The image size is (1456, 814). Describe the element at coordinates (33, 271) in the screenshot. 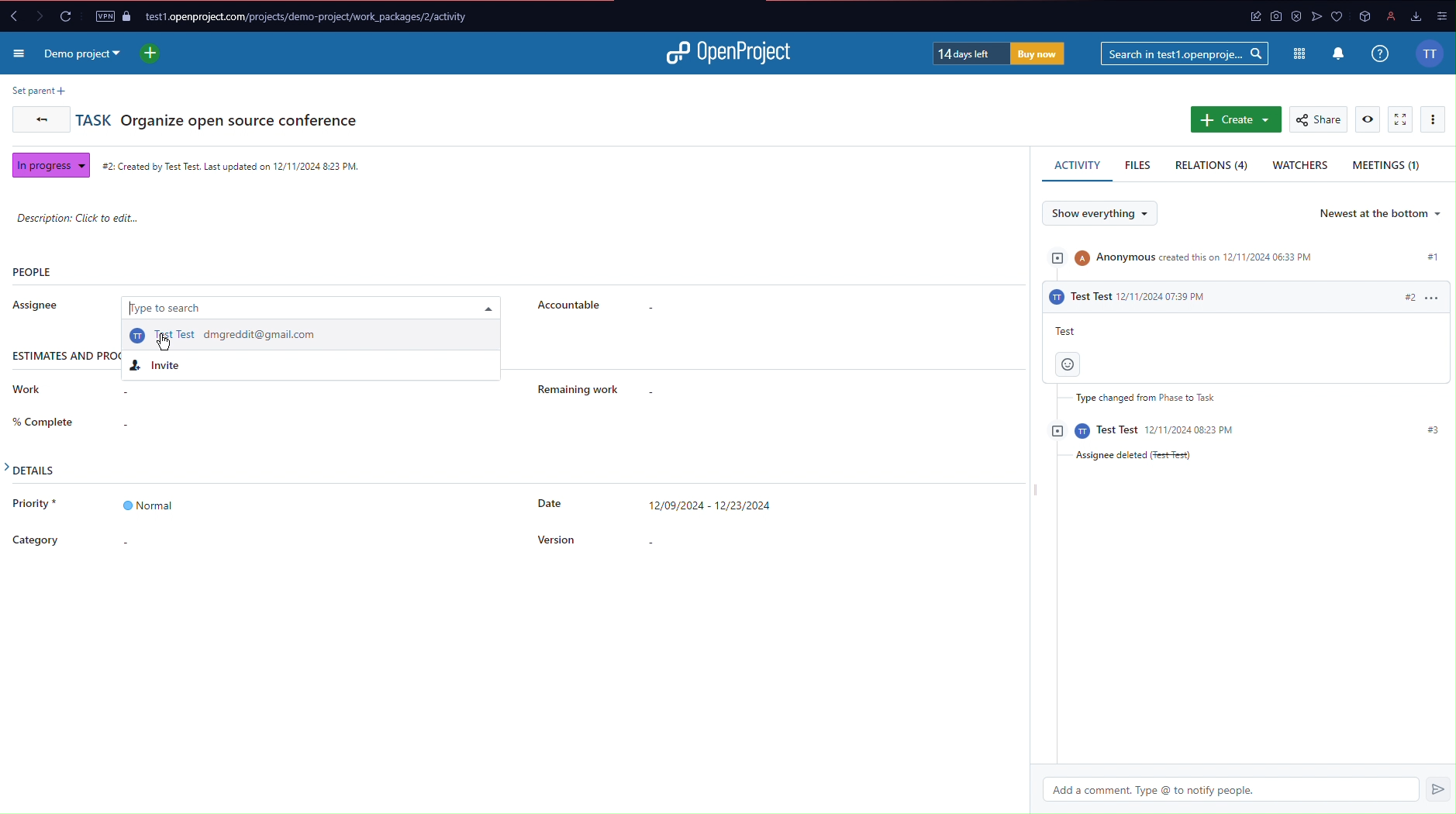

I see `People` at that location.